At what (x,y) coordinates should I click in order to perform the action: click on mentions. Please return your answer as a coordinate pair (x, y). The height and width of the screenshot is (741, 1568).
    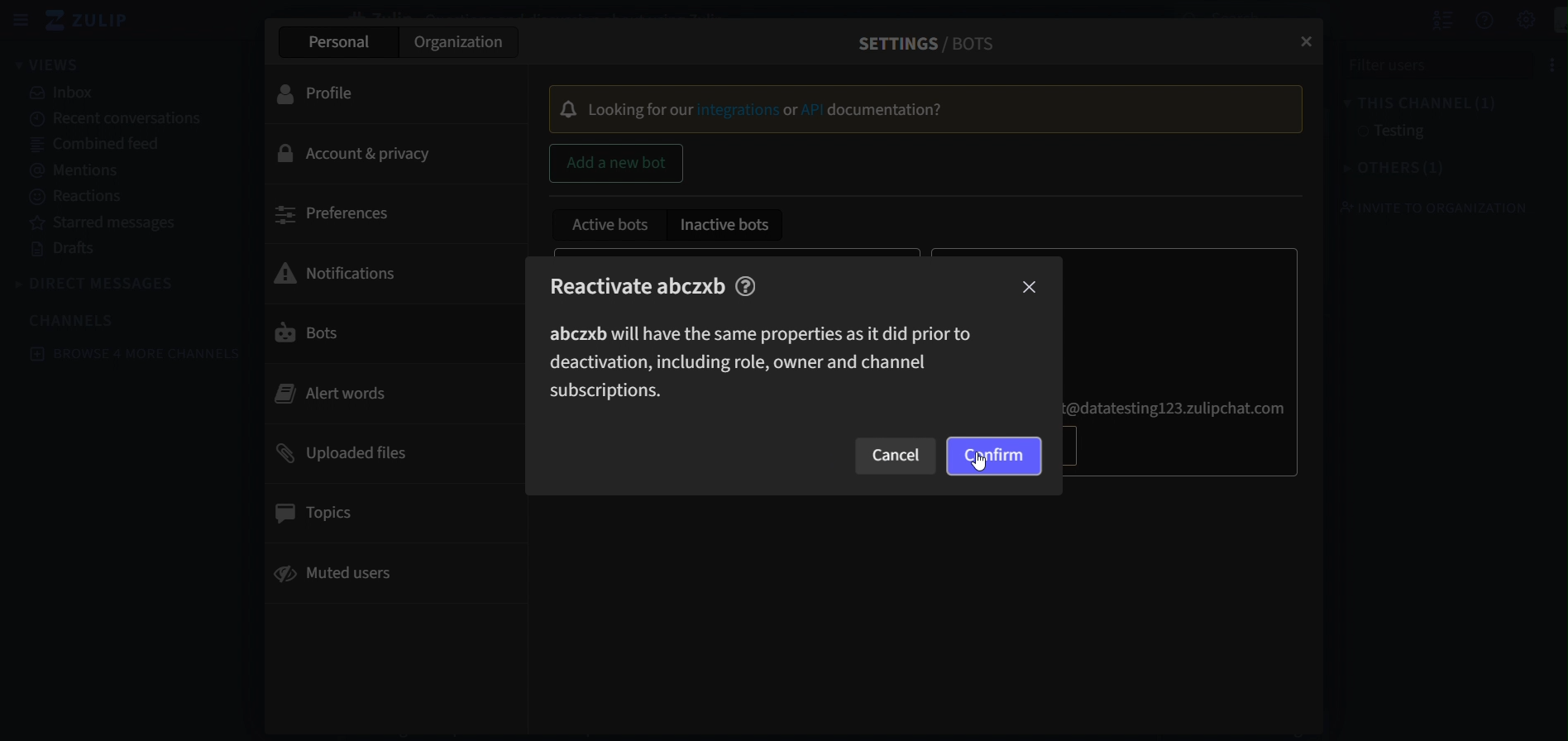
    Looking at the image, I should click on (73, 170).